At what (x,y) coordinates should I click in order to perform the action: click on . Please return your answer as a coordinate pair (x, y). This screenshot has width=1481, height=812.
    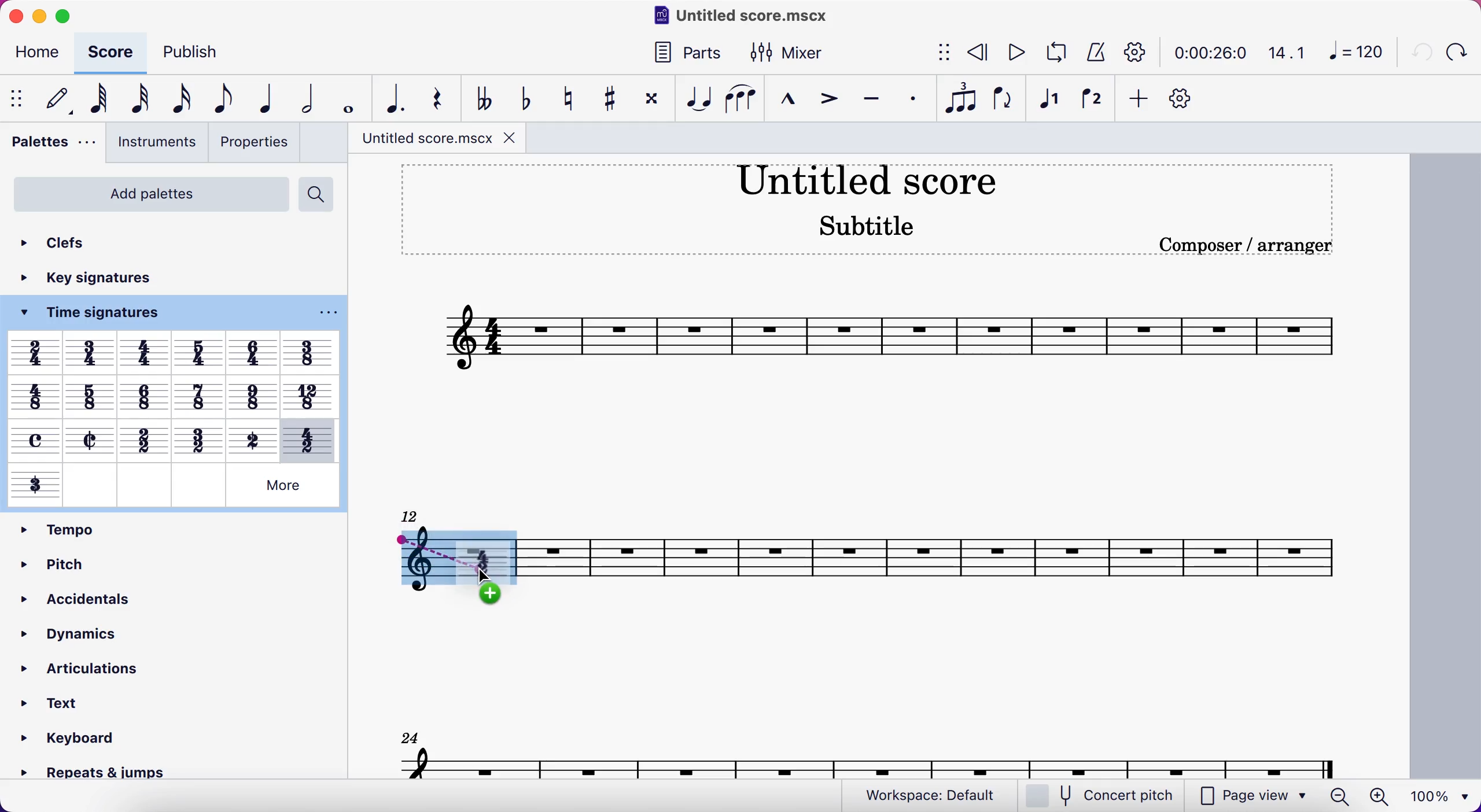
    Looking at the image, I should click on (36, 485).